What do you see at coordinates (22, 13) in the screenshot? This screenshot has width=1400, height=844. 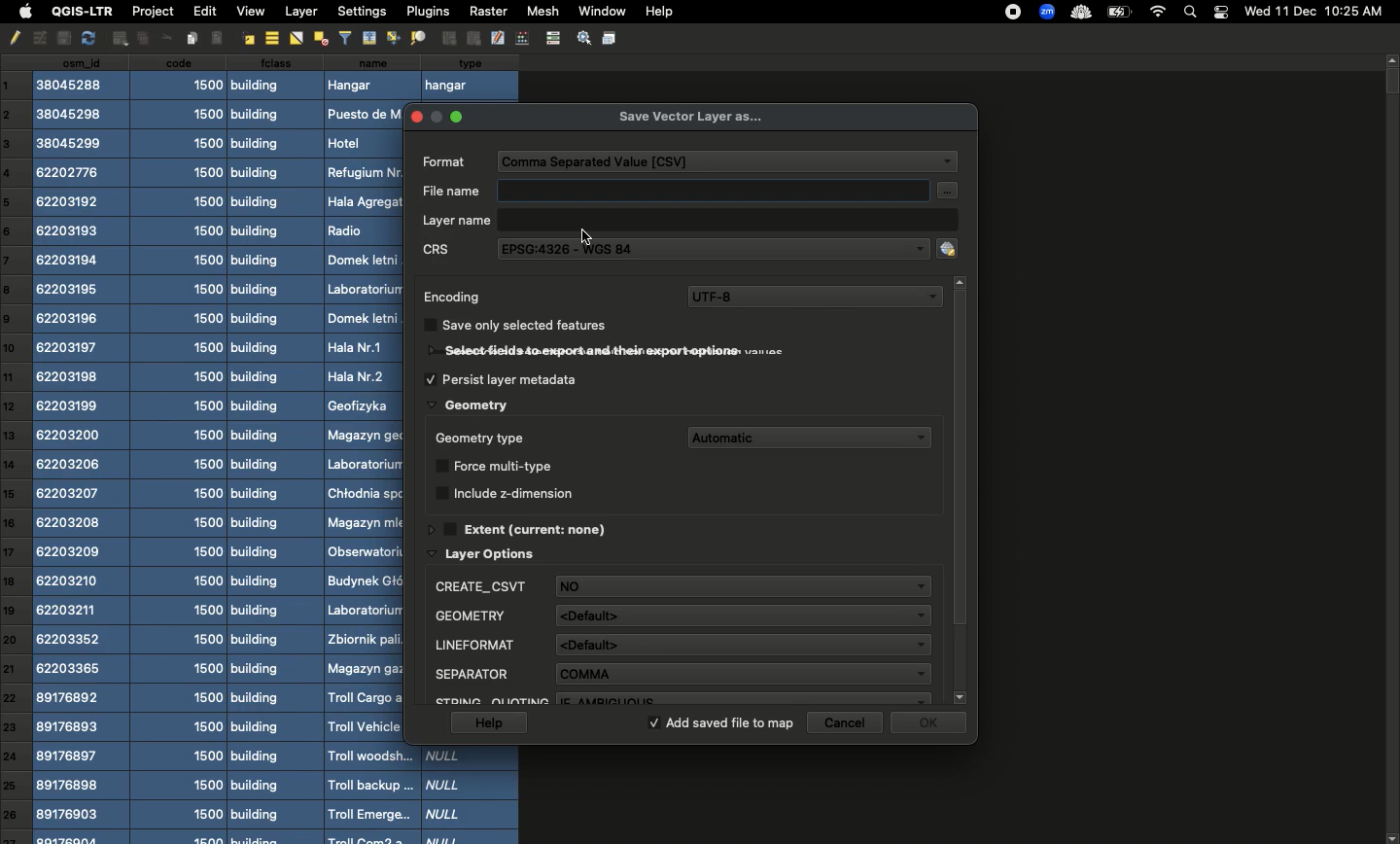 I see `Apple` at bounding box center [22, 13].